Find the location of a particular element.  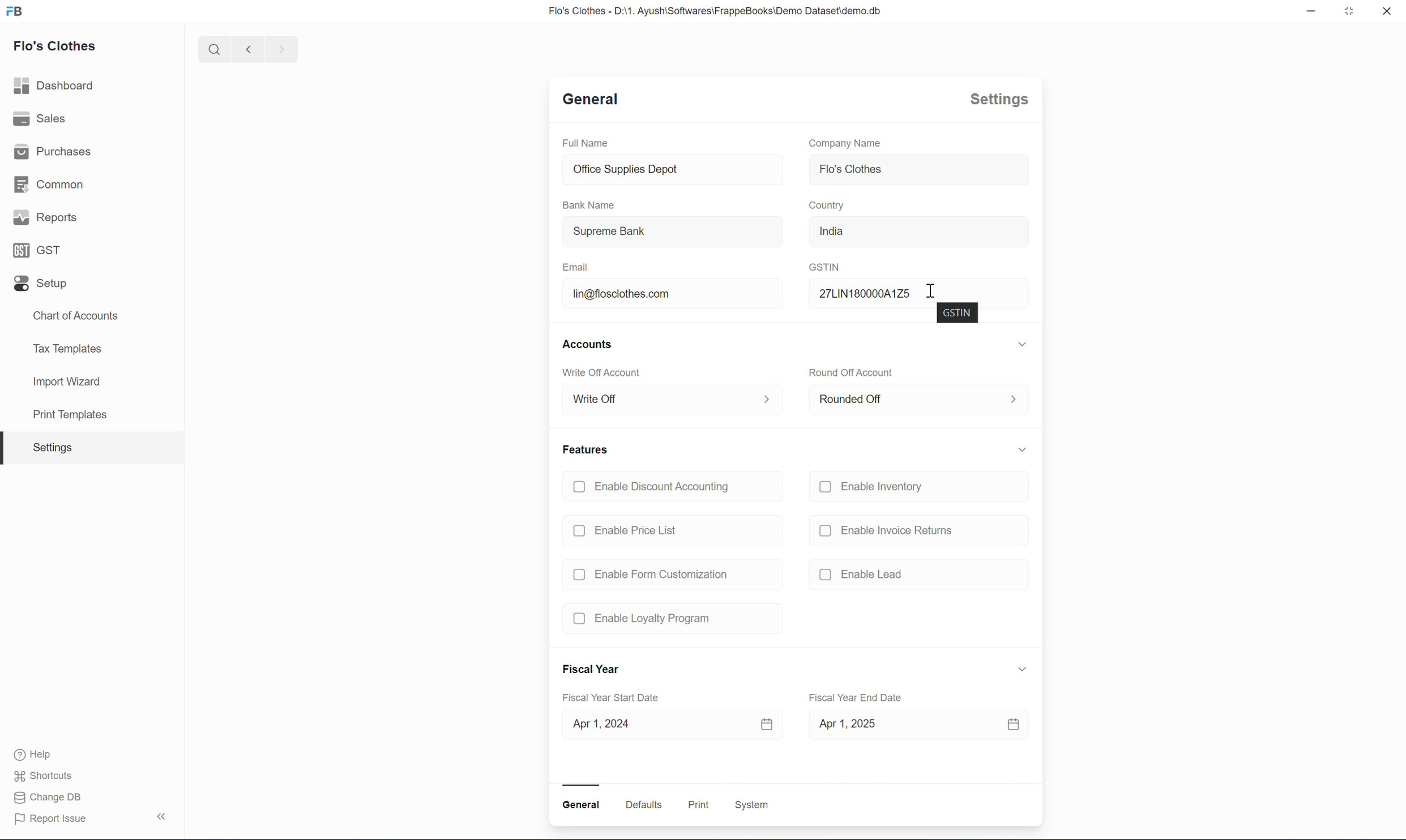

Flo's Clothes is located at coordinates (918, 171).